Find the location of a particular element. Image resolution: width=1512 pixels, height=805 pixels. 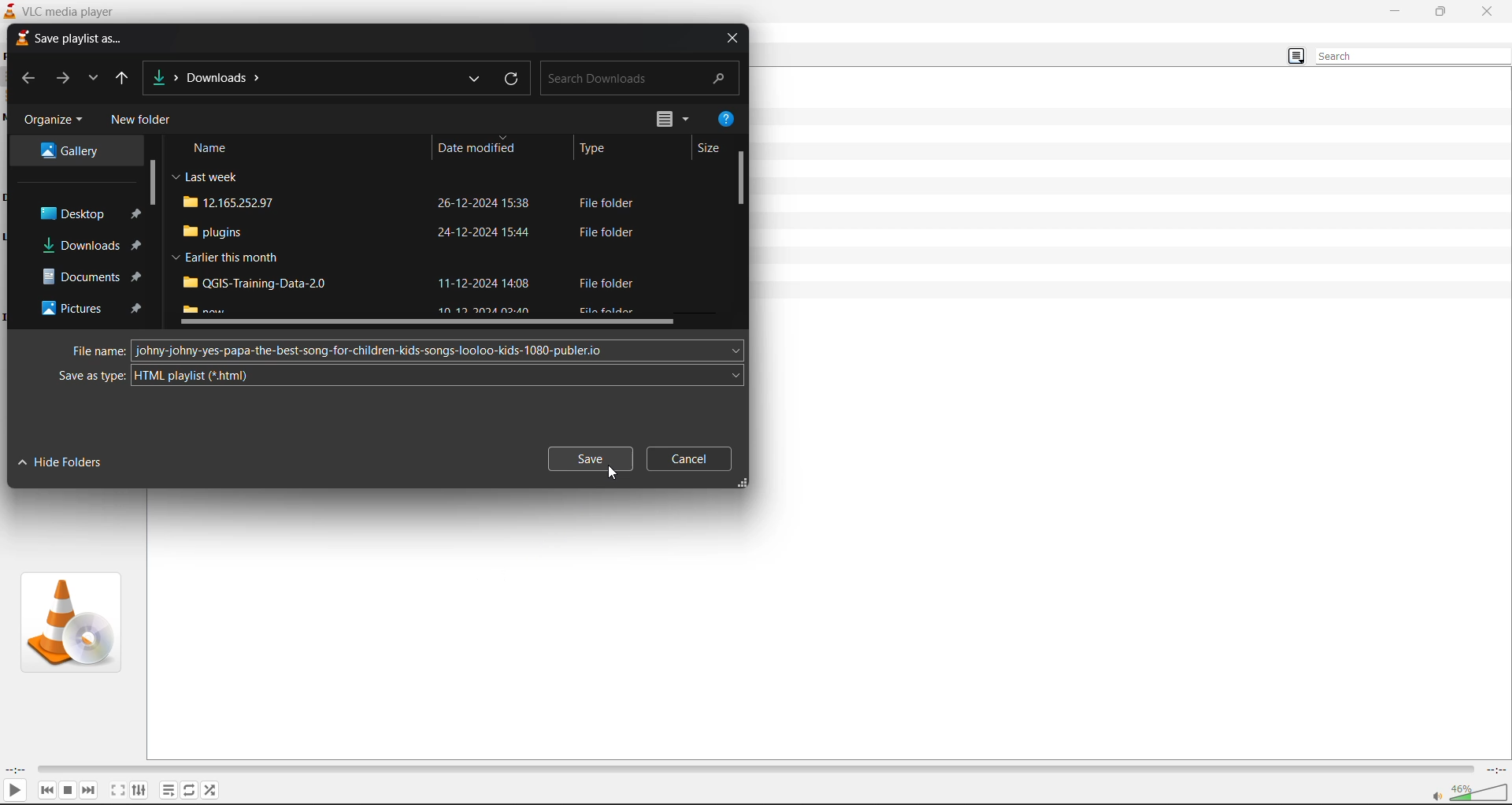

recent locations is located at coordinates (97, 79).